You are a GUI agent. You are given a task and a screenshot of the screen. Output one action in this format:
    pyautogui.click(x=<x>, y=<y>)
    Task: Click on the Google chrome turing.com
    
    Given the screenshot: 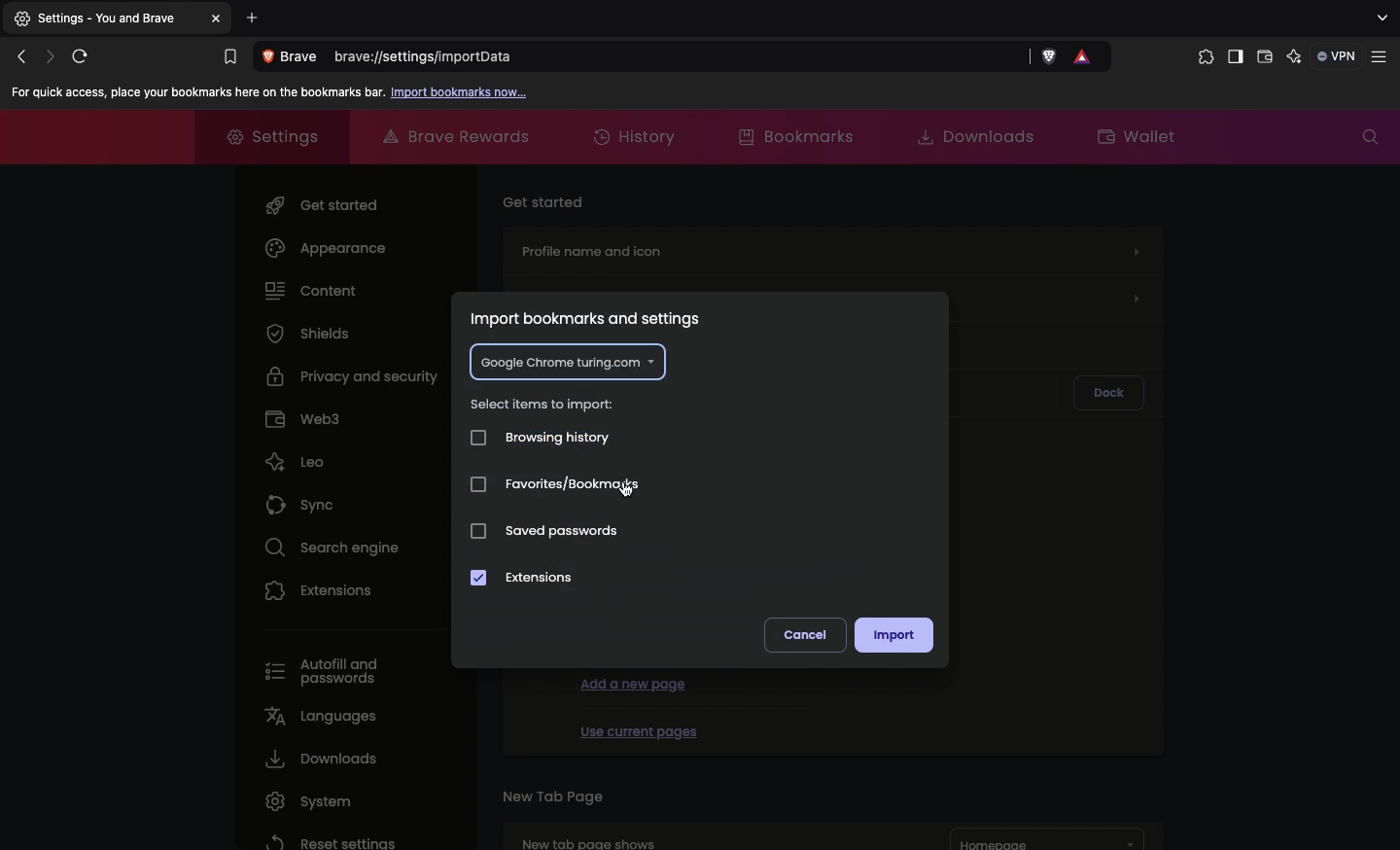 What is the action you would take?
    pyautogui.click(x=566, y=363)
    